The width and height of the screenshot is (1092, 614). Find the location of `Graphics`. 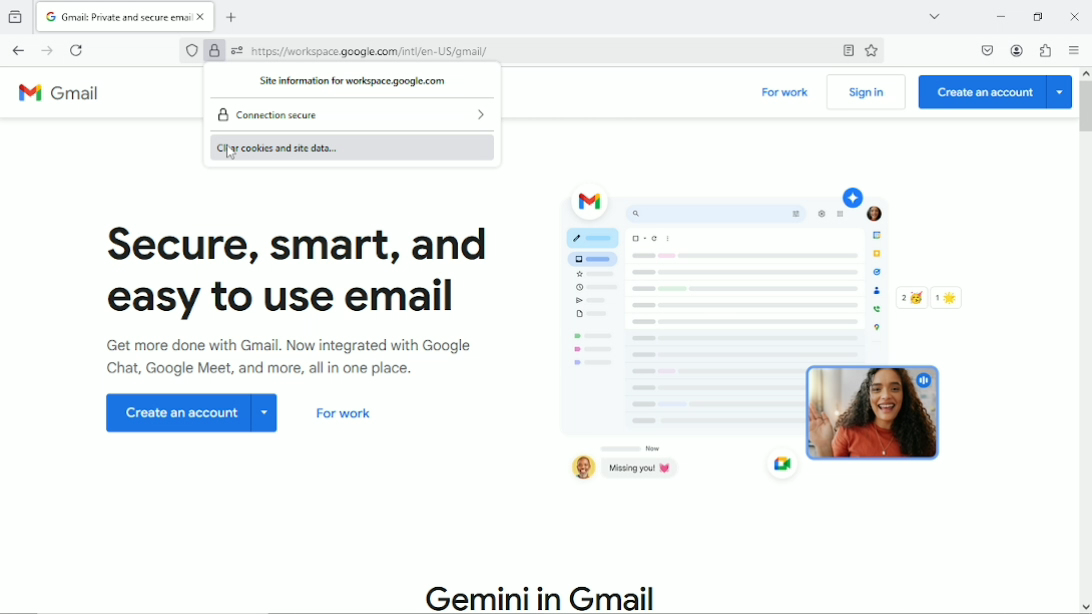

Graphics is located at coordinates (769, 338).